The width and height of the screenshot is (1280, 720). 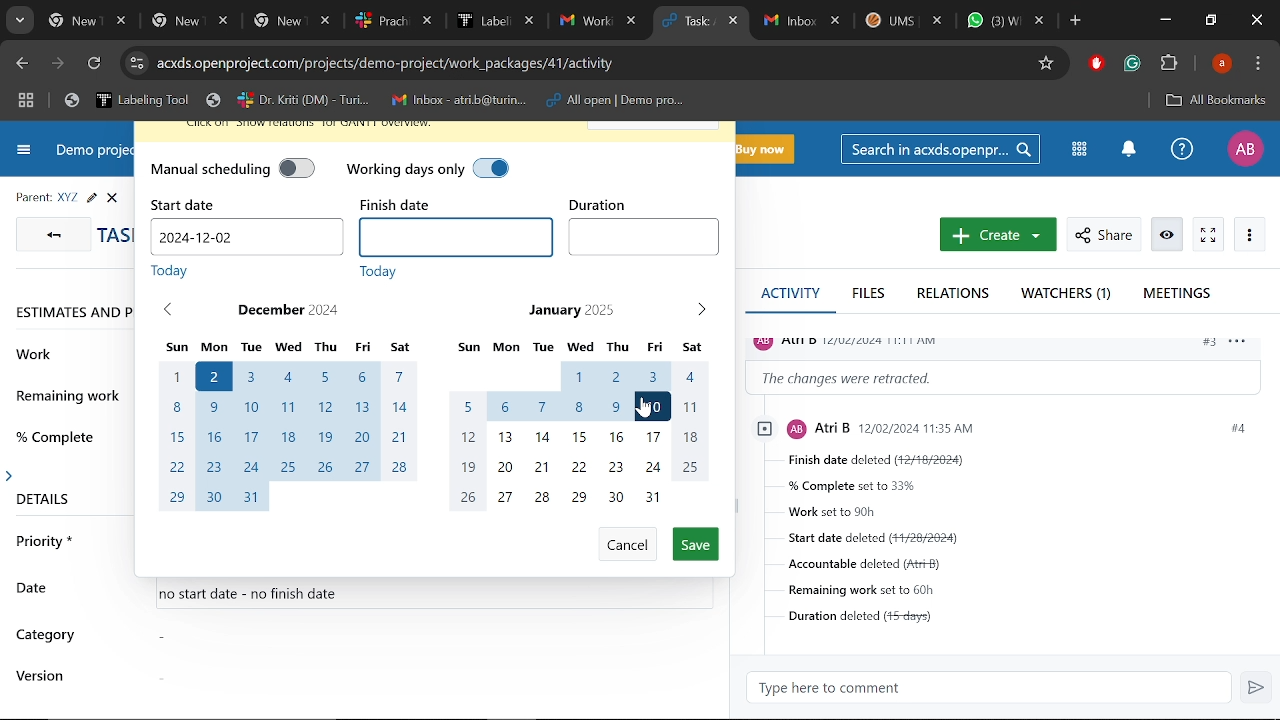 What do you see at coordinates (37, 354) in the screenshot?
I see `work` at bounding box center [37, 354].